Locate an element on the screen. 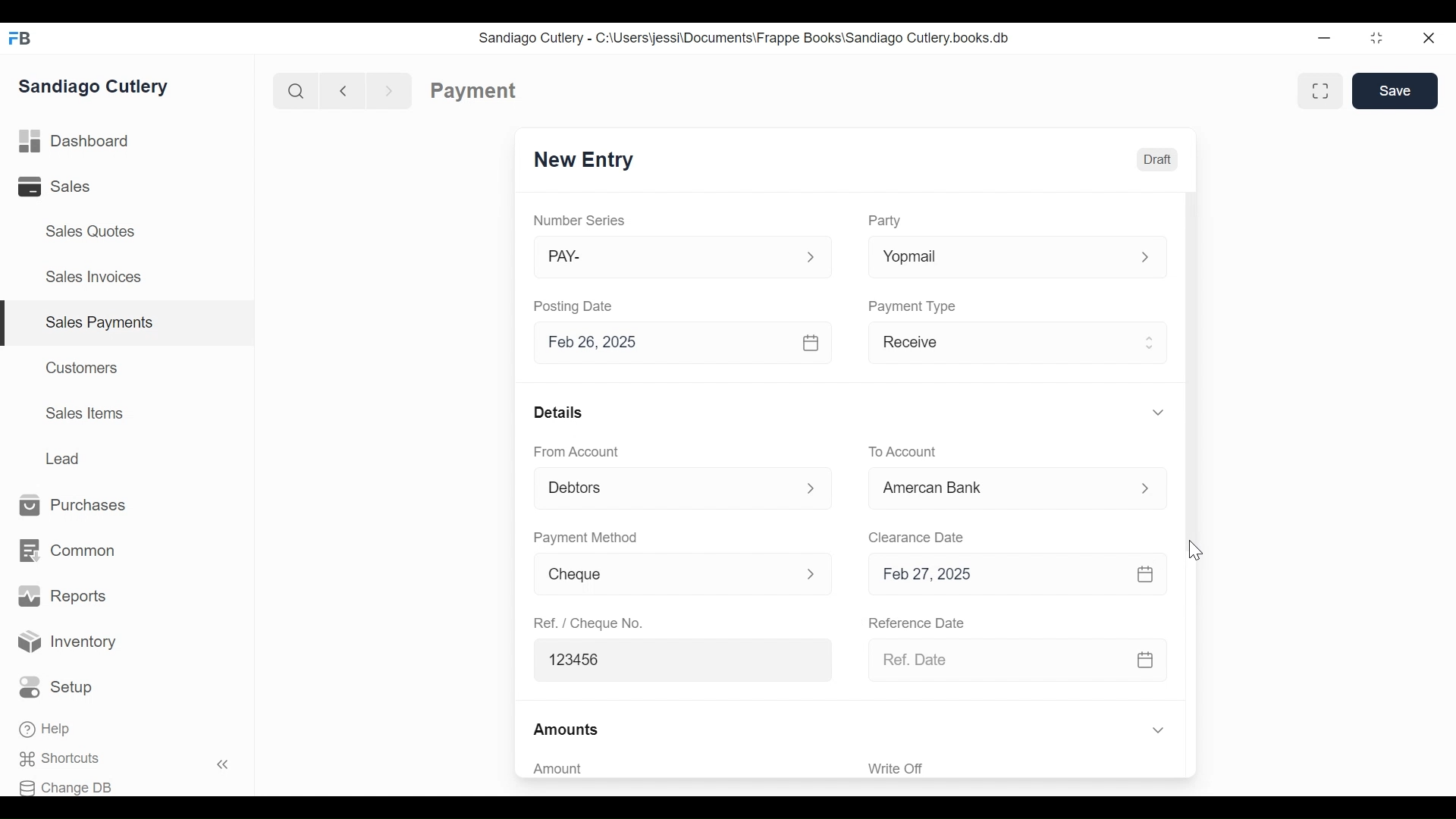 The image size is (1456, 819). Calendar is located at coordinates (1145, 661).